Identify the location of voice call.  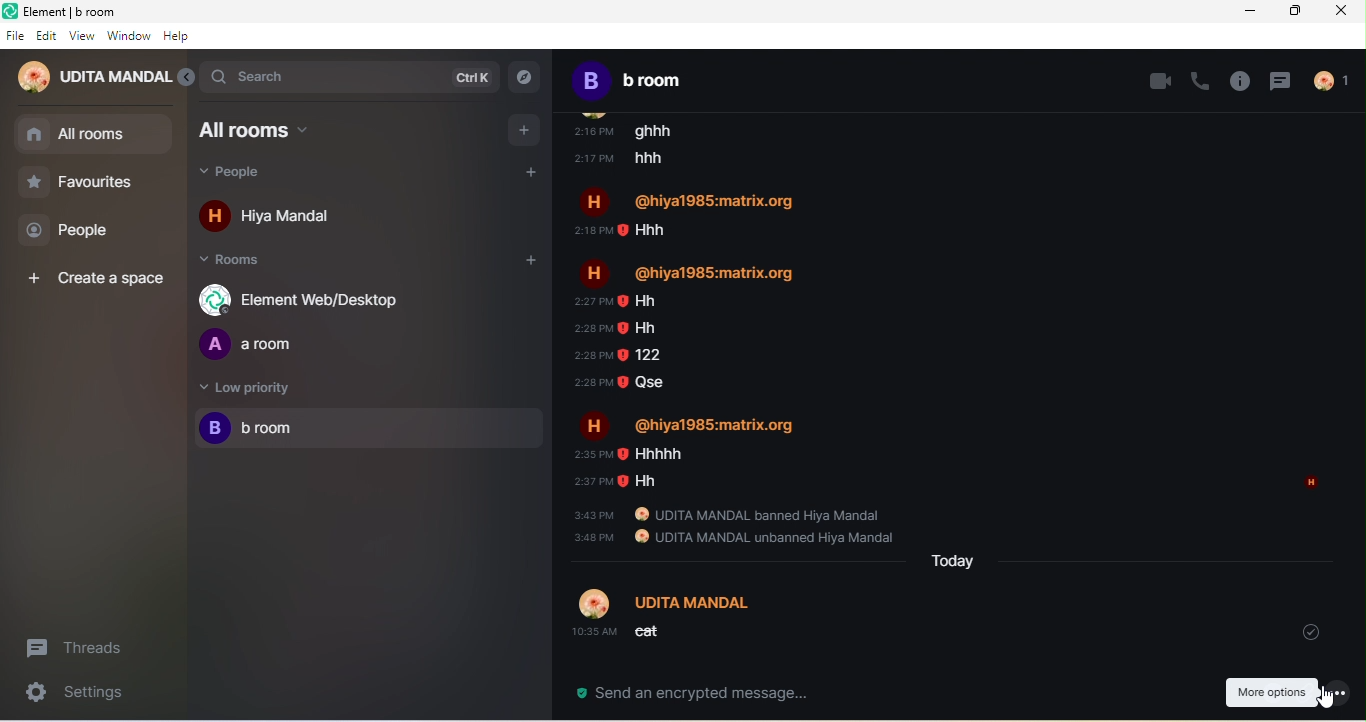
(1203, 79).